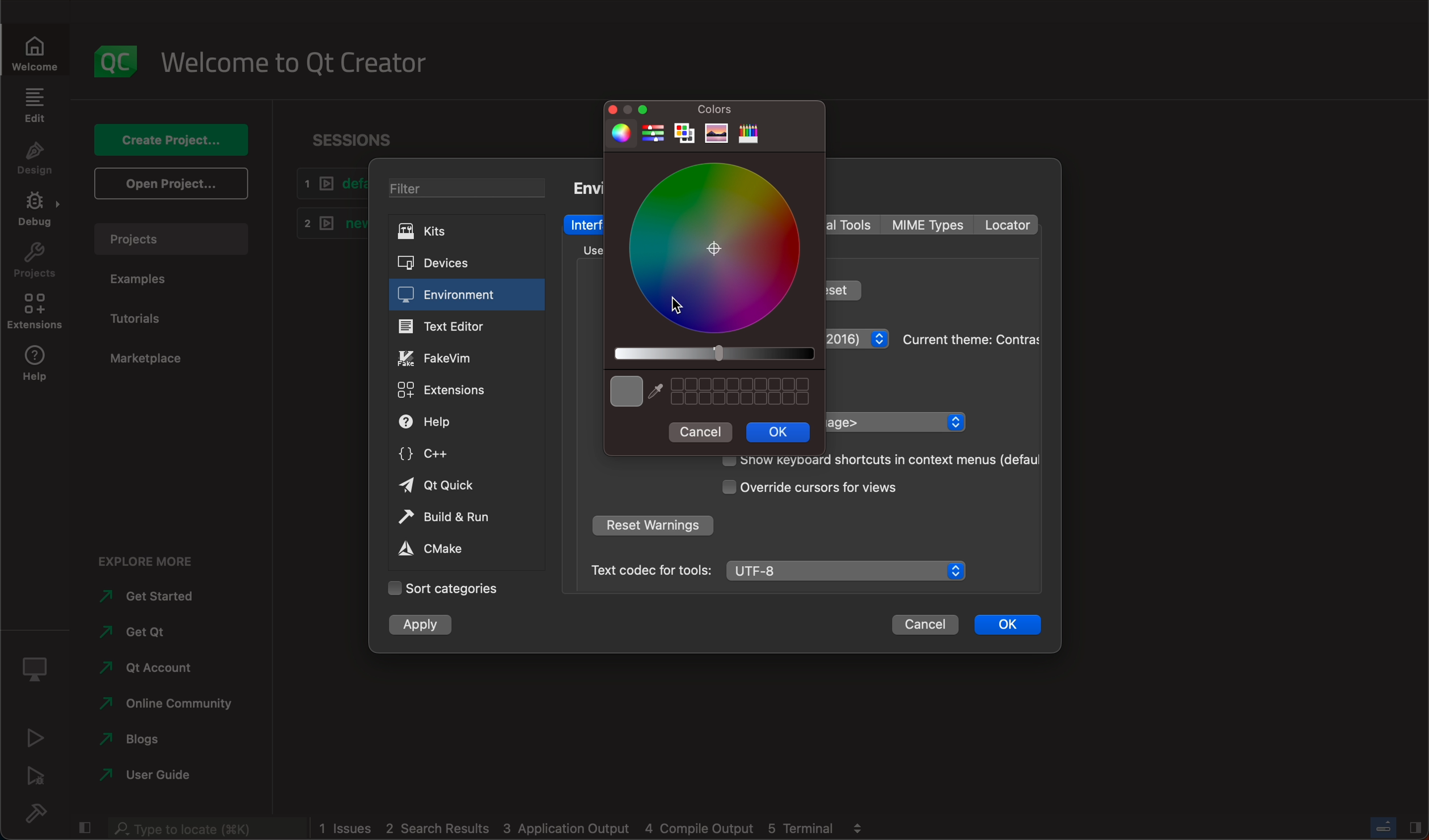  I want to click on shade, so click(712, 353).